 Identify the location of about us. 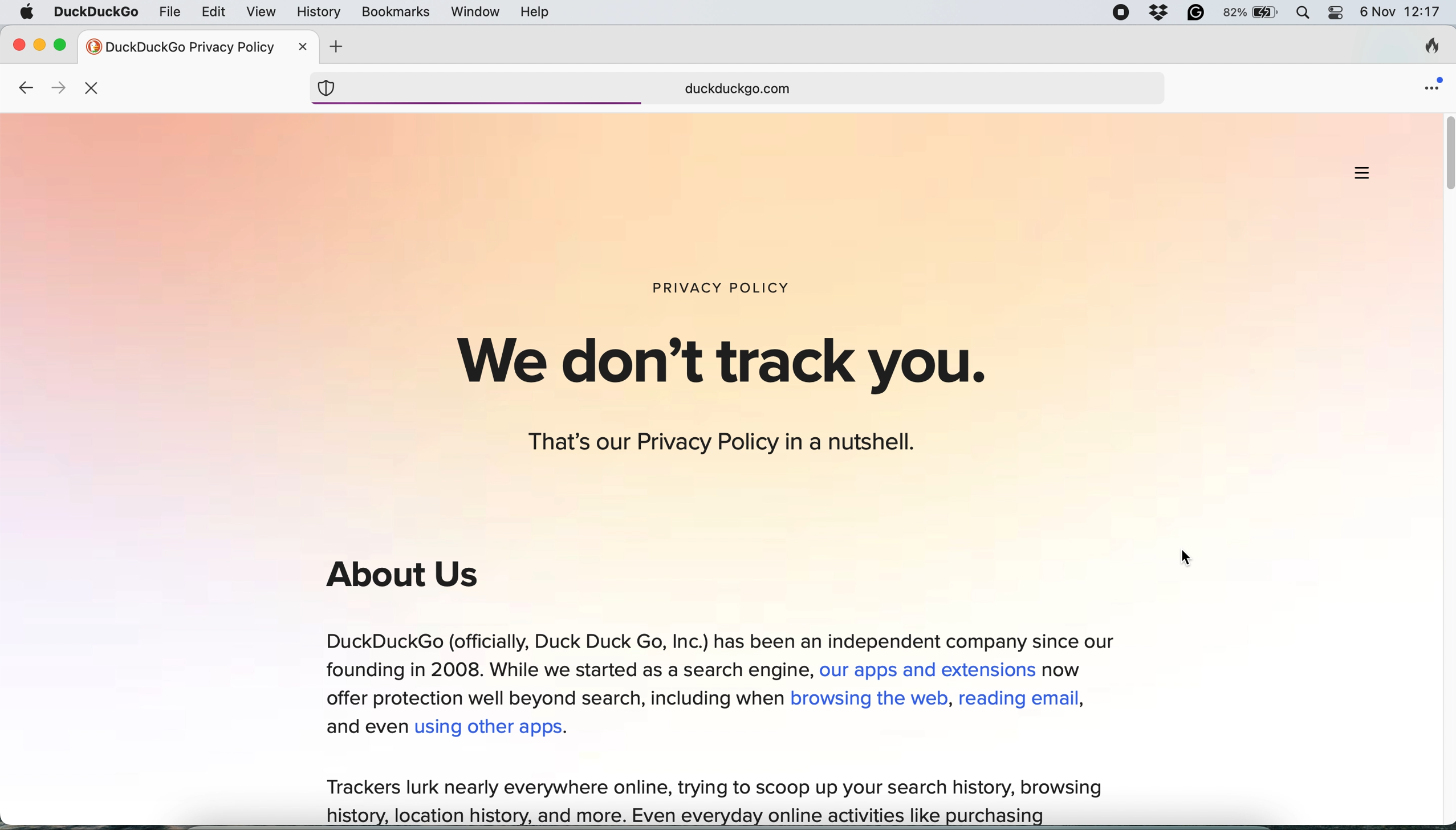
(402, 578).